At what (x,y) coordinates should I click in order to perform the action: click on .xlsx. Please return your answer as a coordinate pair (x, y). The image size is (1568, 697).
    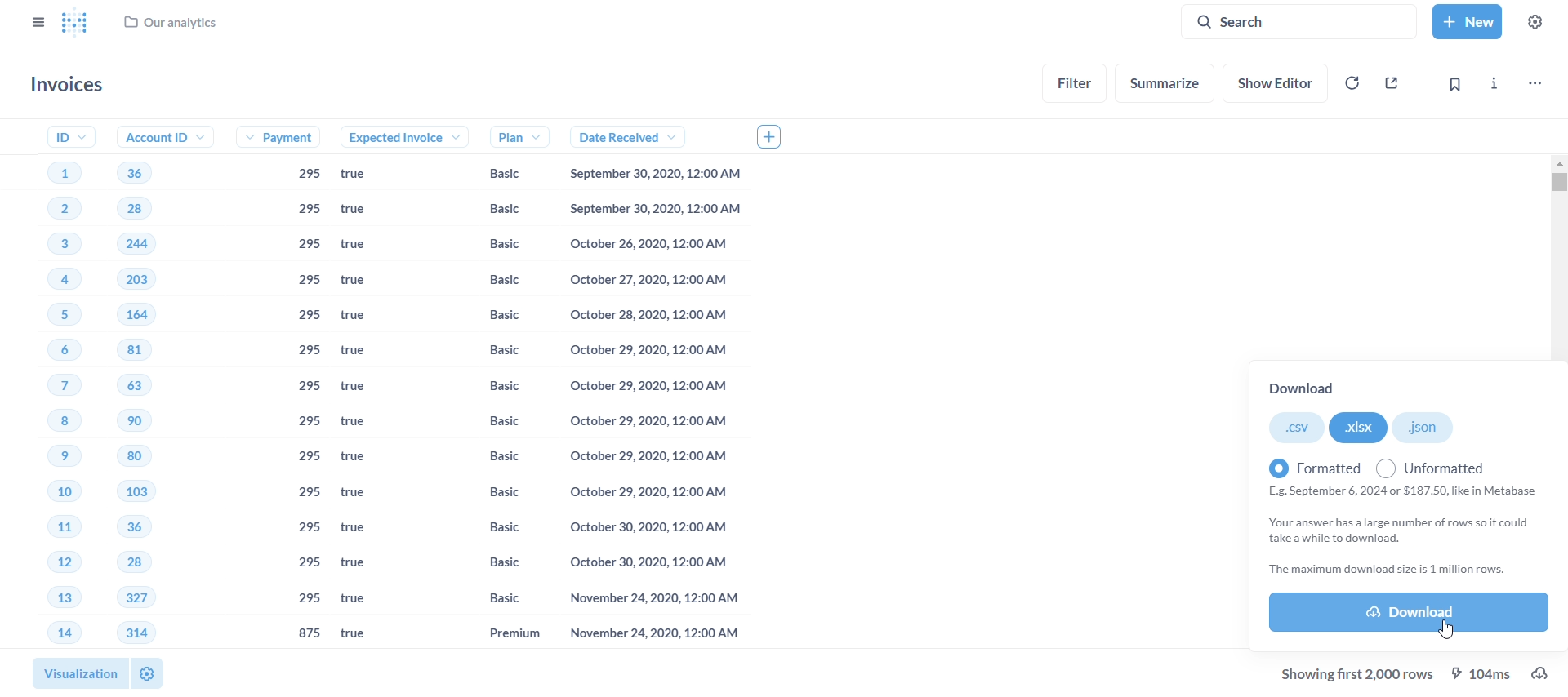
    Looking at the image, I should click on (1362, 427).